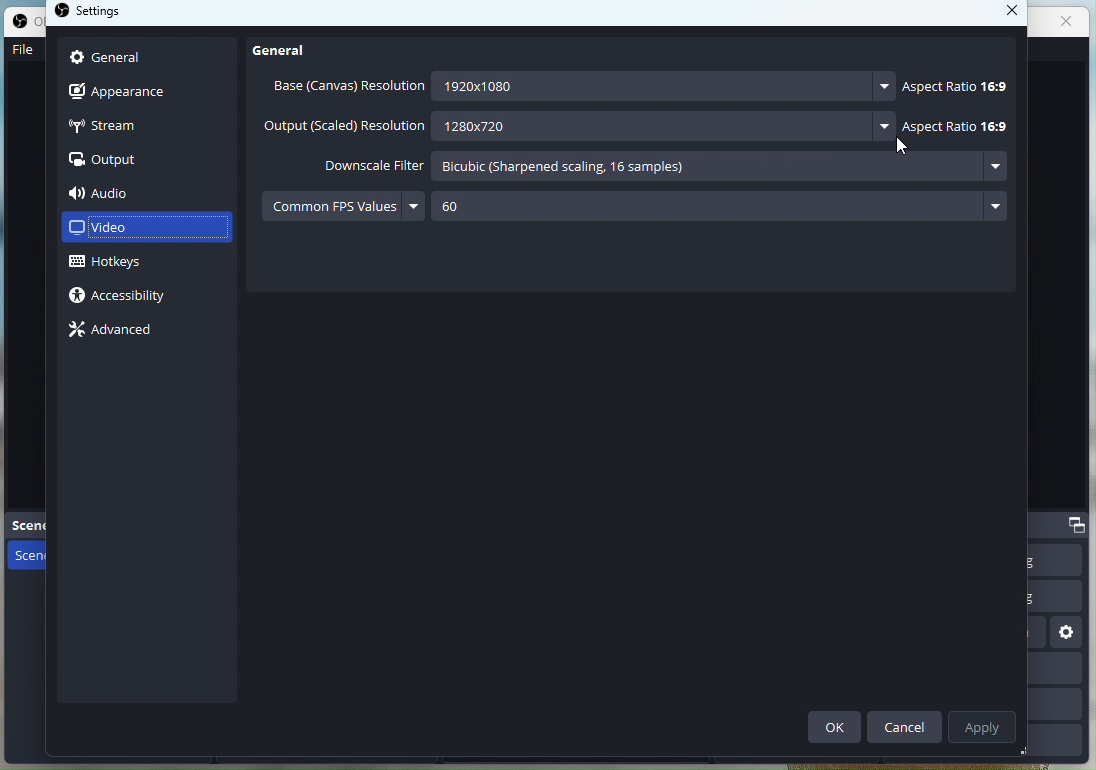 The width and height of the screenshot is (1096, 770). I want to click on Bicubic (sharpened scaling, 16 samples), so click(646, 165).